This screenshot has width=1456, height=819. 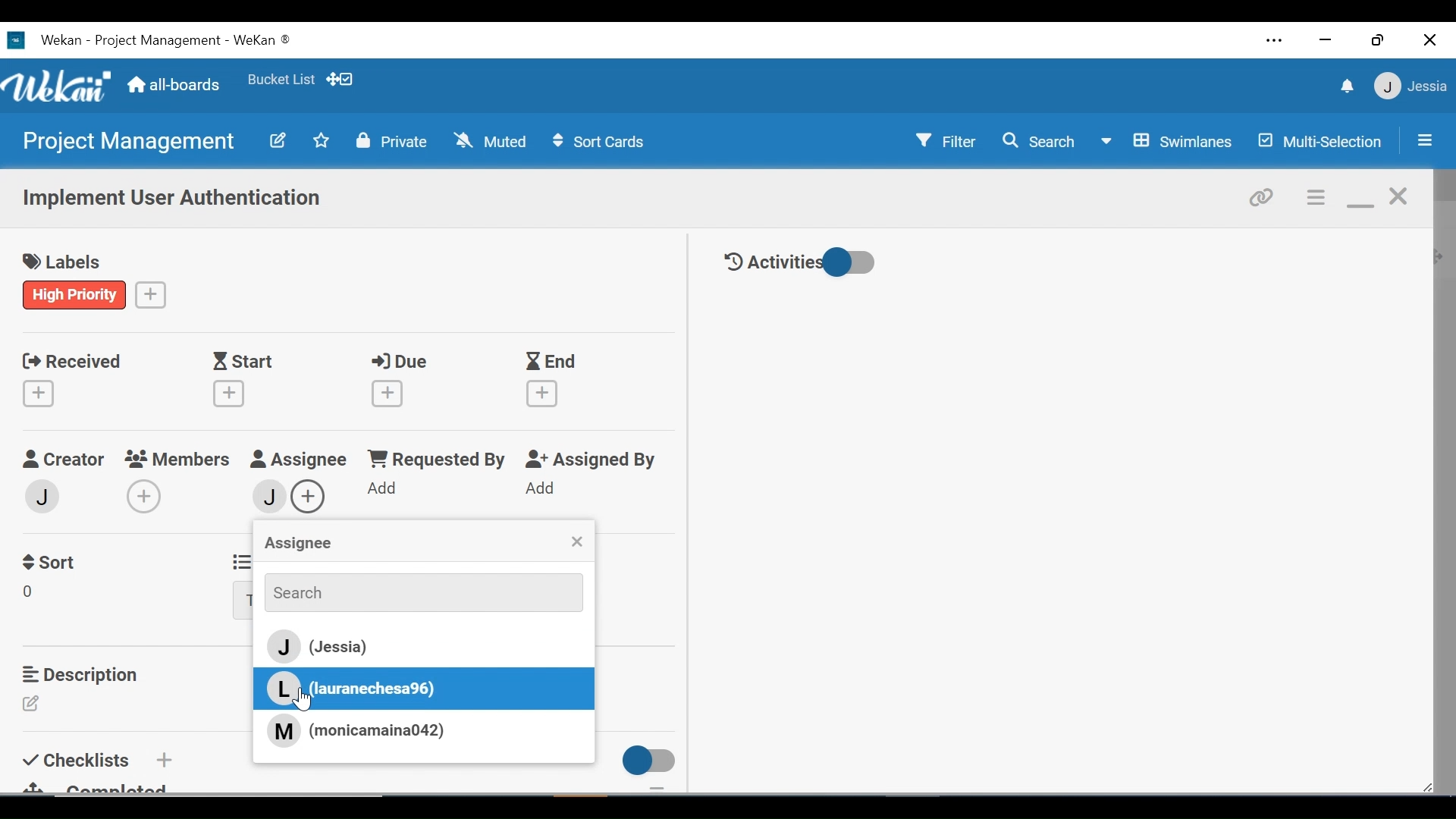 I want to click on List, so click(x=239, y=560).